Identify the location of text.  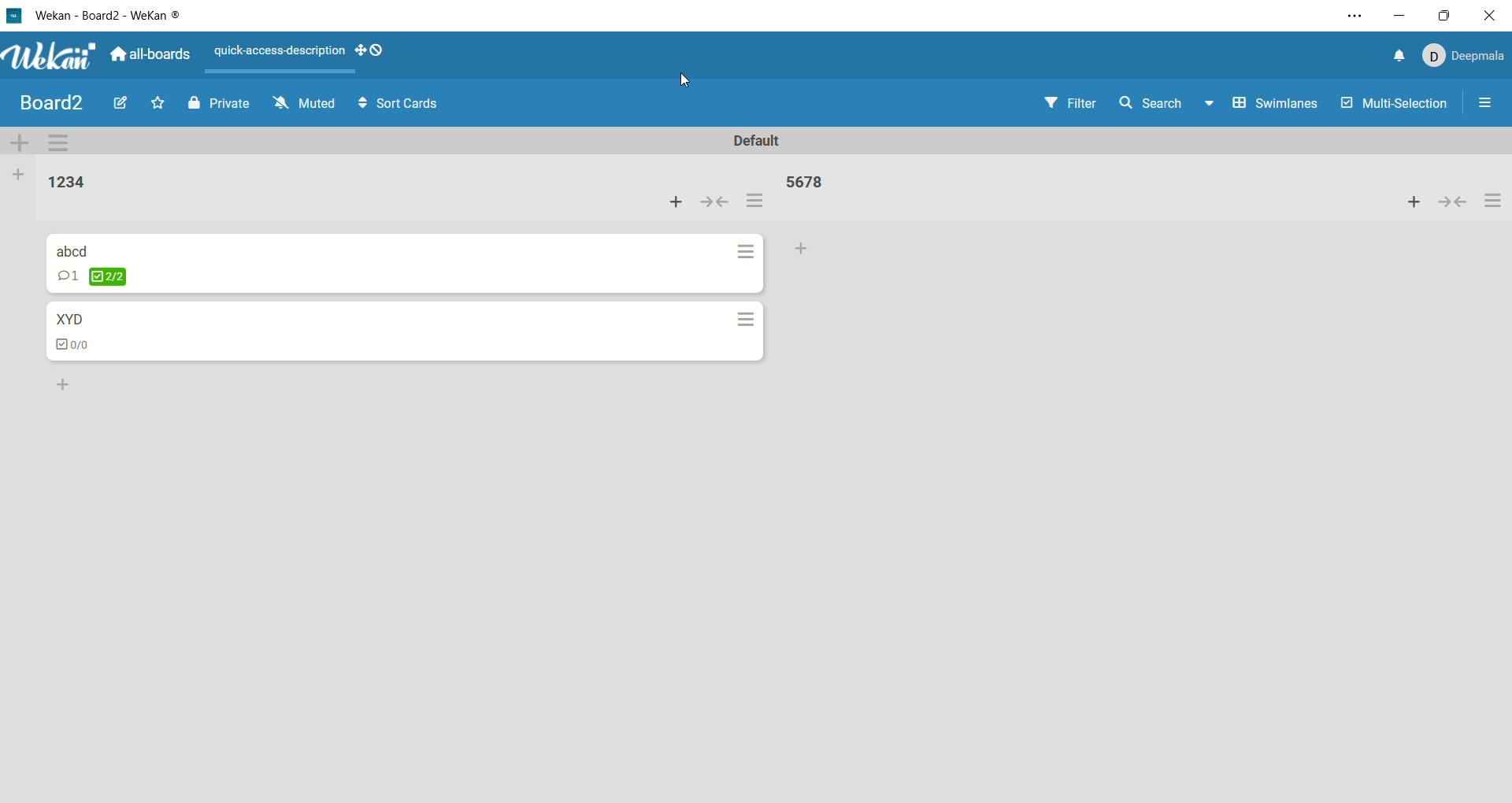
(281, 52).